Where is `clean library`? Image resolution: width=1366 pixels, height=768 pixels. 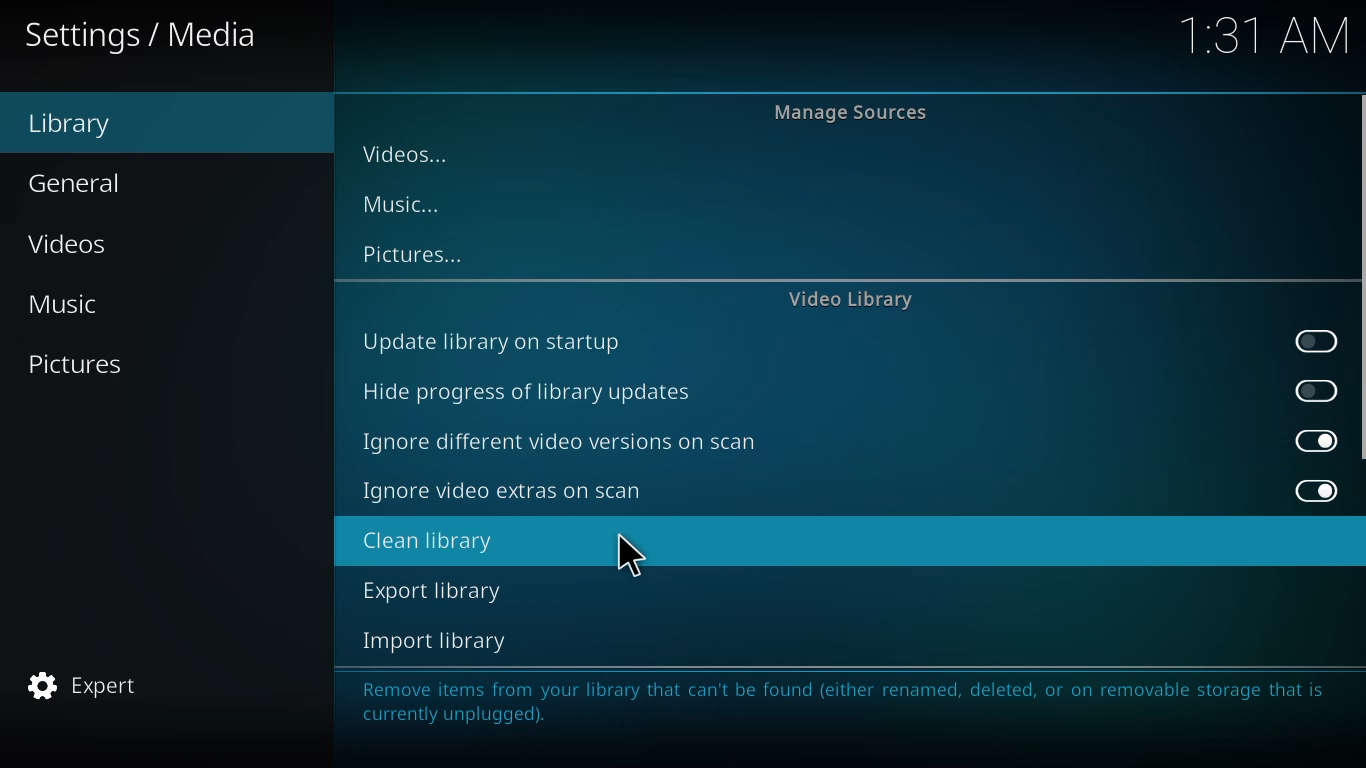
clean library is located at coordinates (425, 542).